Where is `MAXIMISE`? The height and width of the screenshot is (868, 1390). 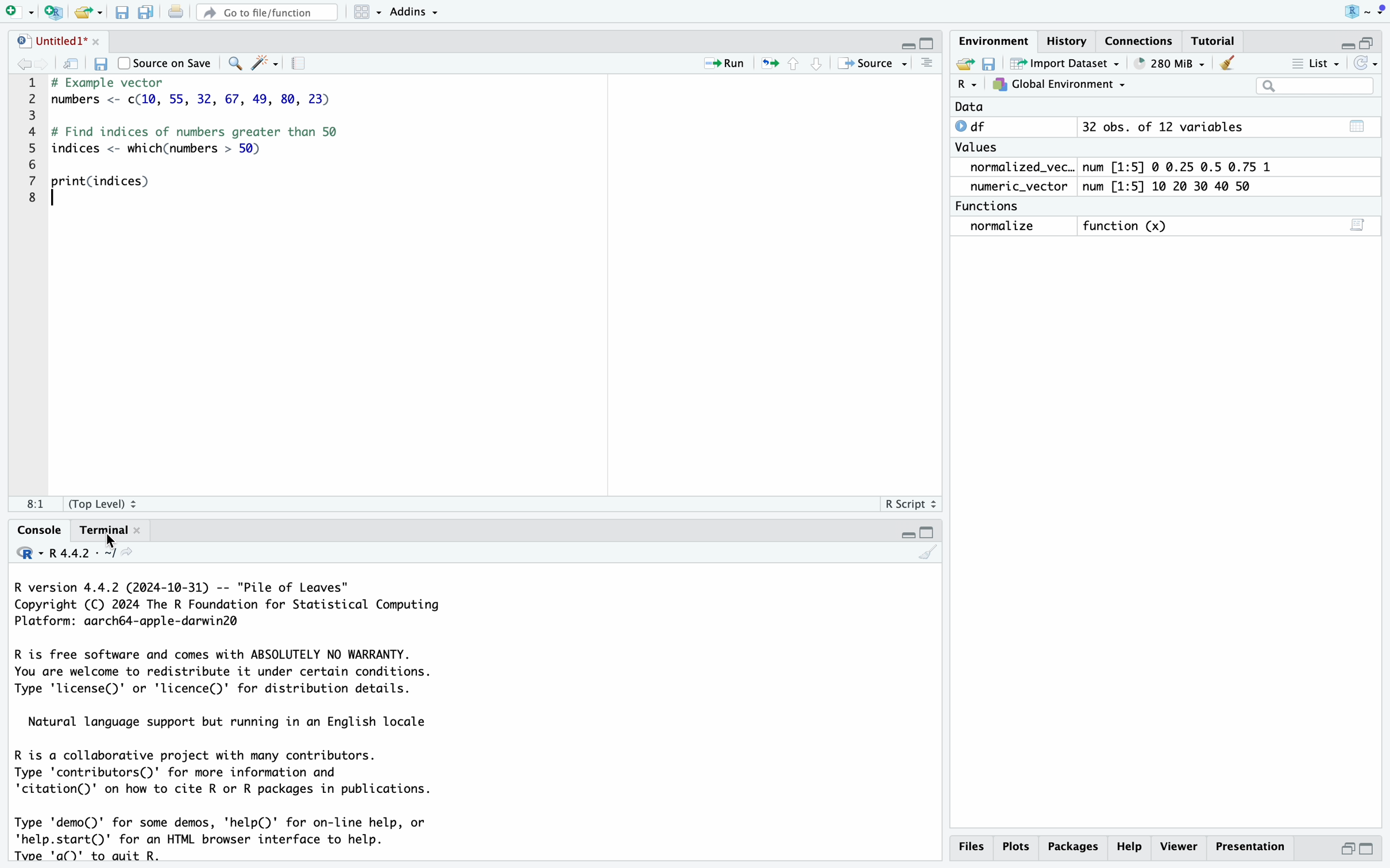 MAXIMISE is located at coordinates (930, 530).